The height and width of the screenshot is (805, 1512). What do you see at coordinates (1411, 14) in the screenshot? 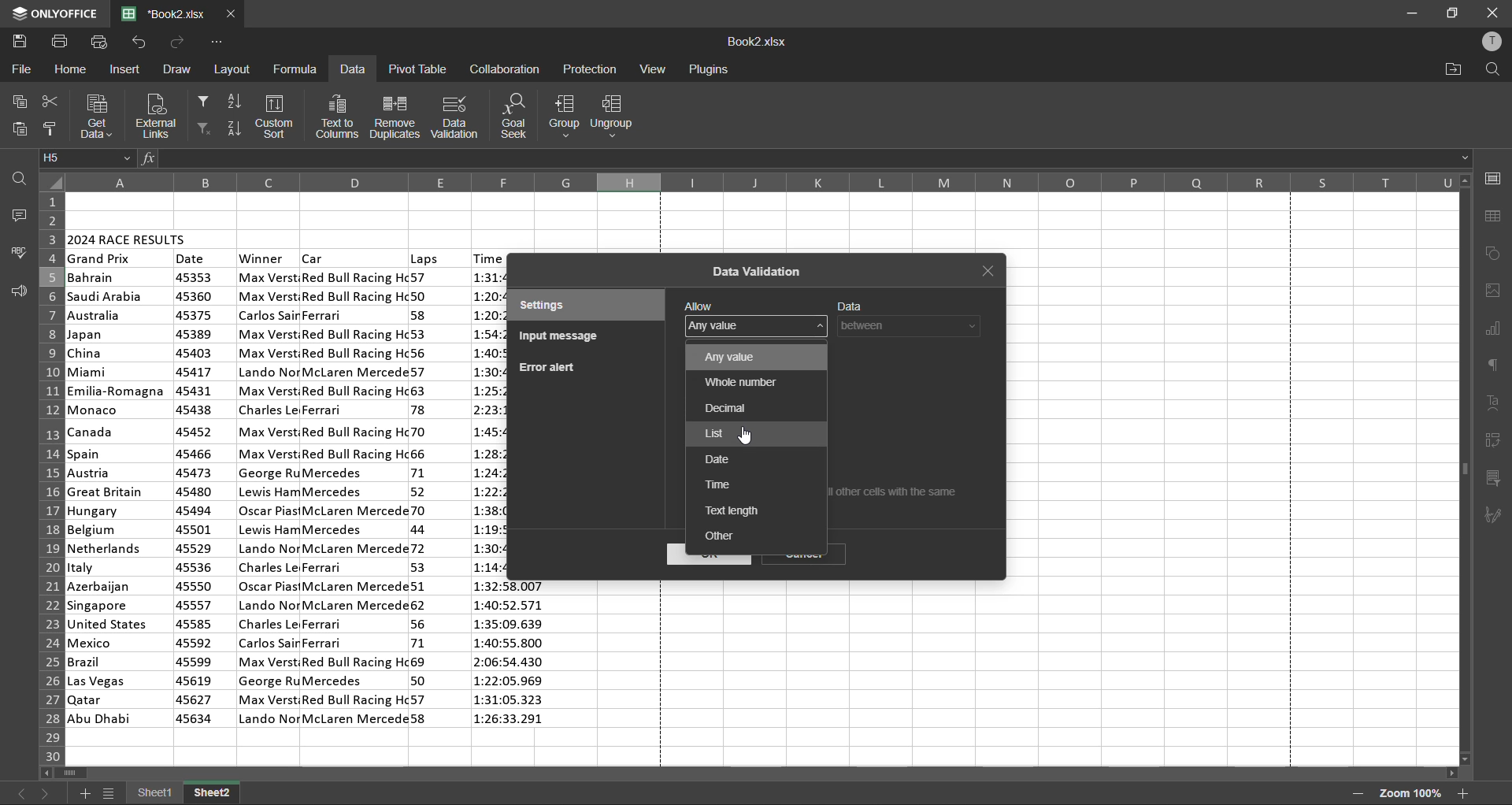
I see `minimize` at bounding box center [1411, 14].